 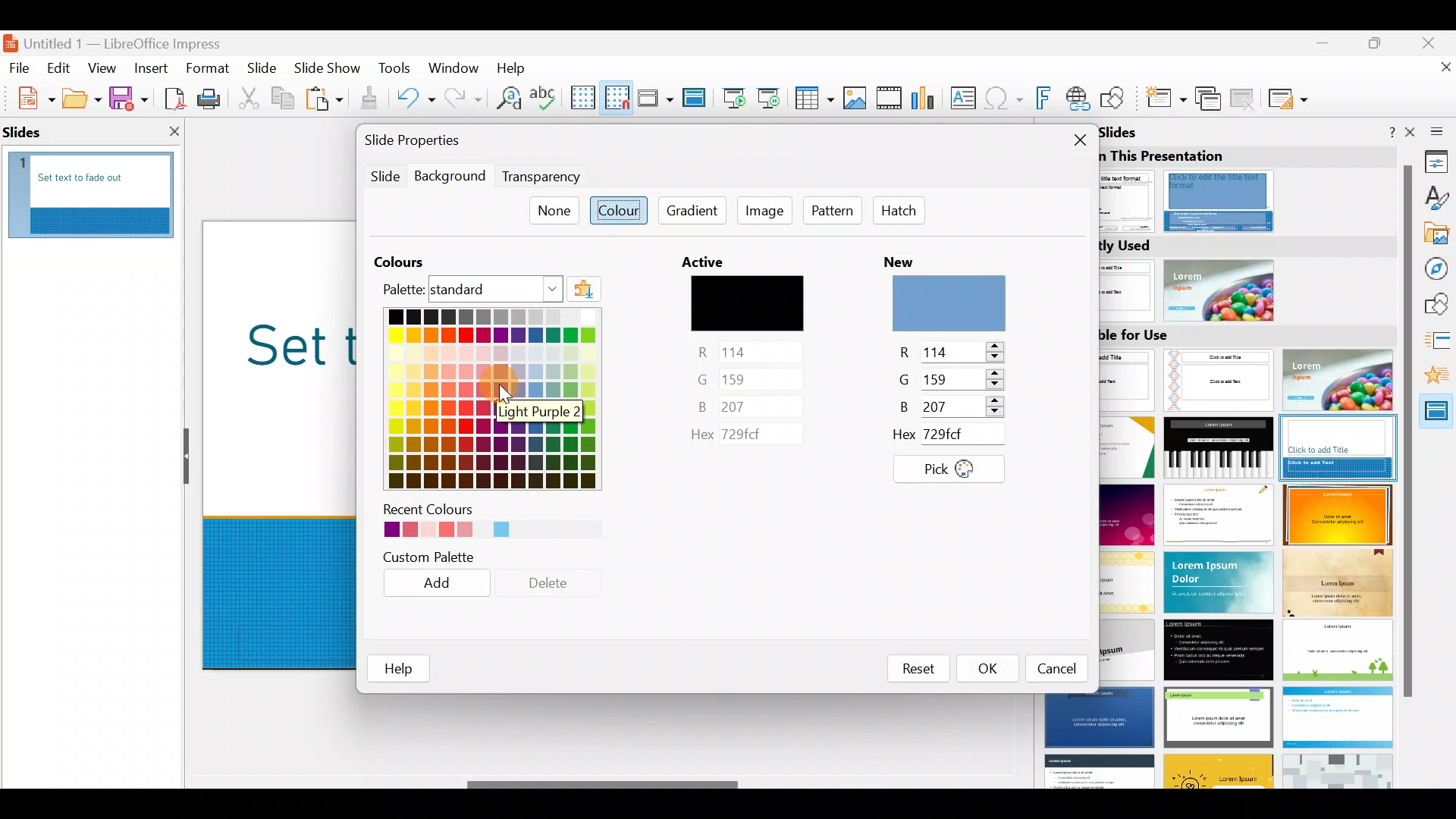 What do you see at coordinates (171, 97) in the screenshot?
I see `Export directly as PDF` at bounding box center [171, 97].